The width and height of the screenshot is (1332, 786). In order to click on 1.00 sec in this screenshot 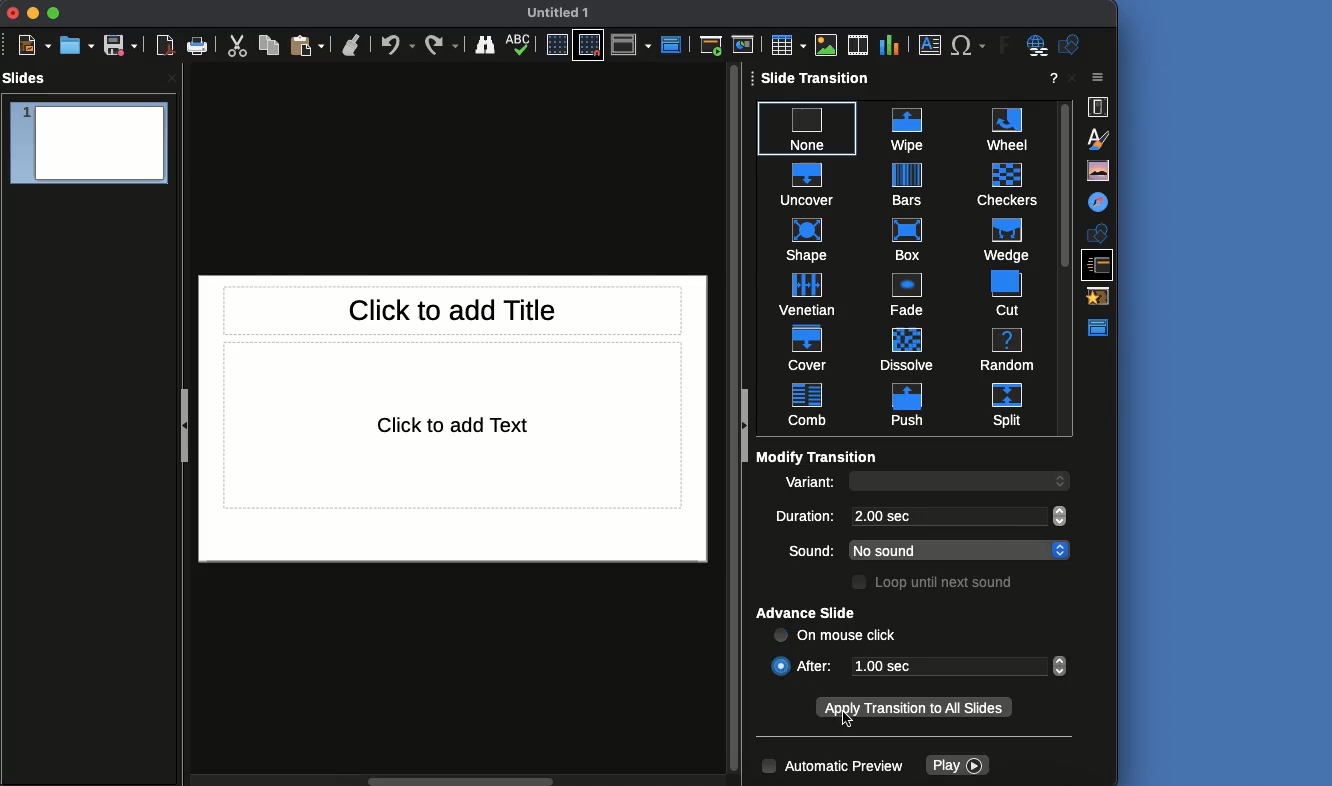, I will do `click(951, 665)`.